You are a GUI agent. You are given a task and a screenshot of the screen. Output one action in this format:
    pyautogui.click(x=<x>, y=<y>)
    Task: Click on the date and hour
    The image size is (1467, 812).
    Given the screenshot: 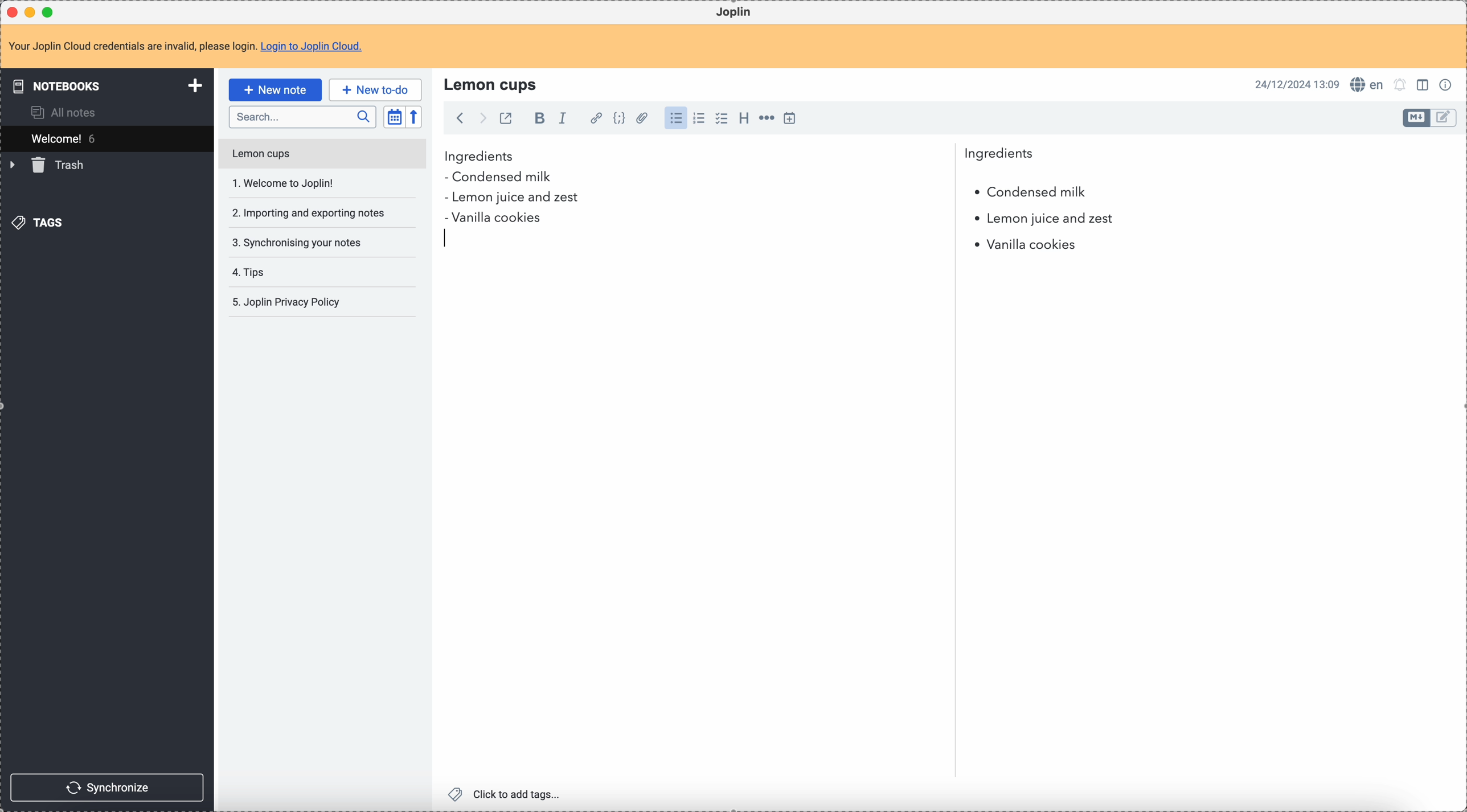 What is the action you would take?
    pyautogui.click(x=1297, y=84)
    